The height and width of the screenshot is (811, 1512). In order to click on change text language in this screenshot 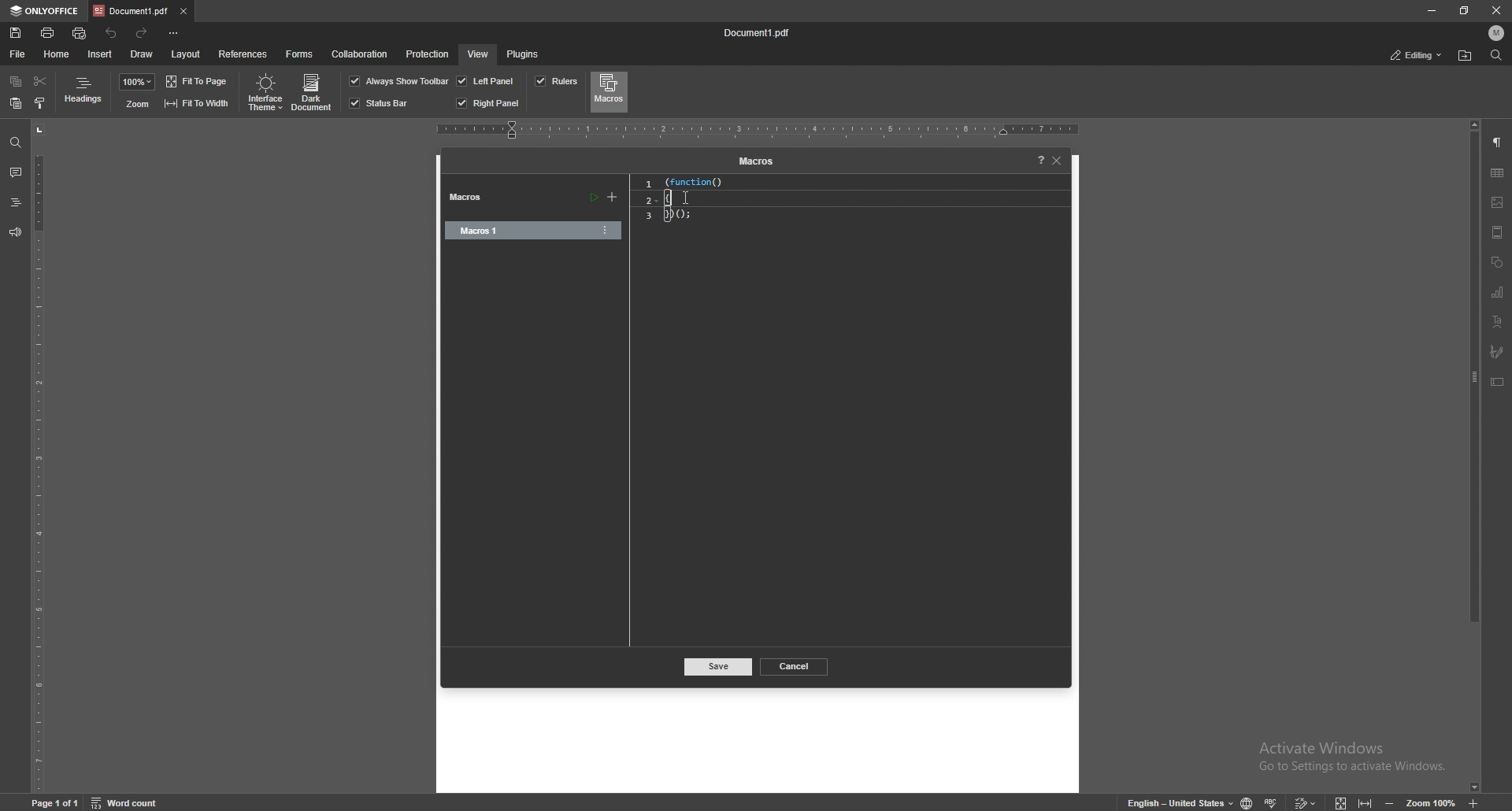, I will do `click(1173, 801)`.